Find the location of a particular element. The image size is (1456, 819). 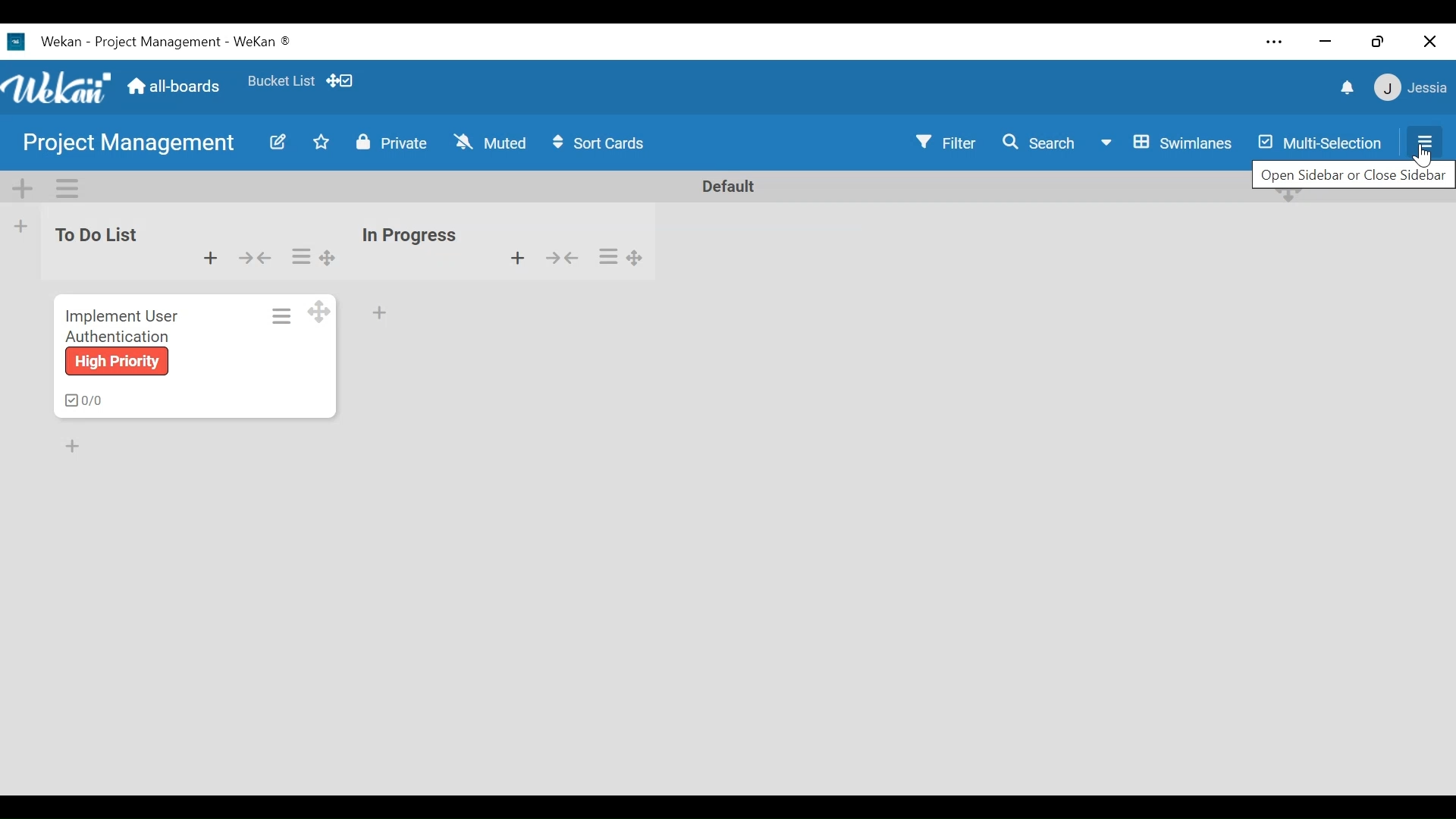

Implement user authentication is located at coordinates (121, 325).